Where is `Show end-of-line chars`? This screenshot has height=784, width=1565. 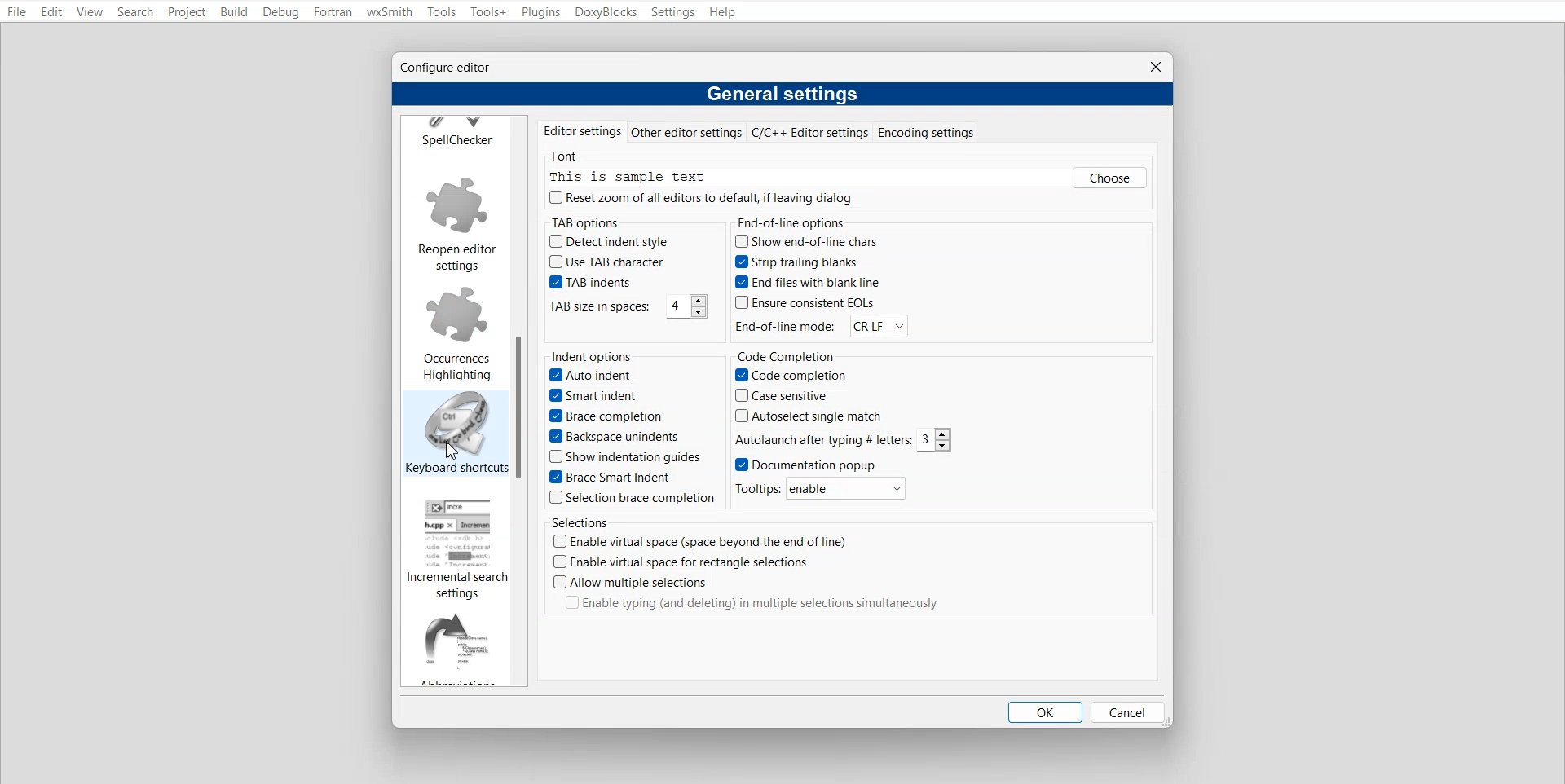
Show end-of-line chars is located at coordinates (805, 240).